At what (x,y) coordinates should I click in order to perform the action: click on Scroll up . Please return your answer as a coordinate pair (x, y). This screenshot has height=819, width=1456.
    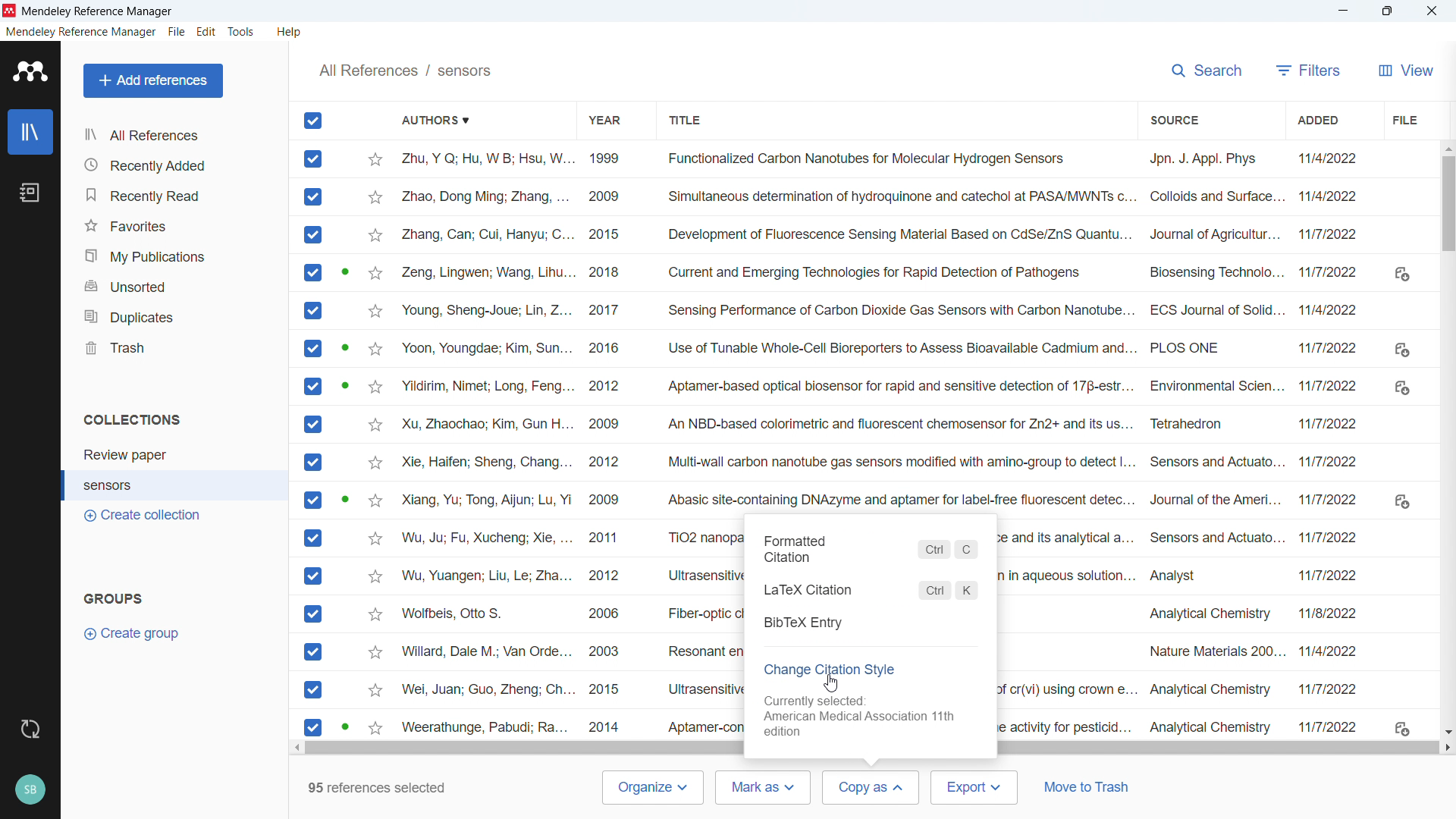
    Looking at the image, I should click on (1447, 149).